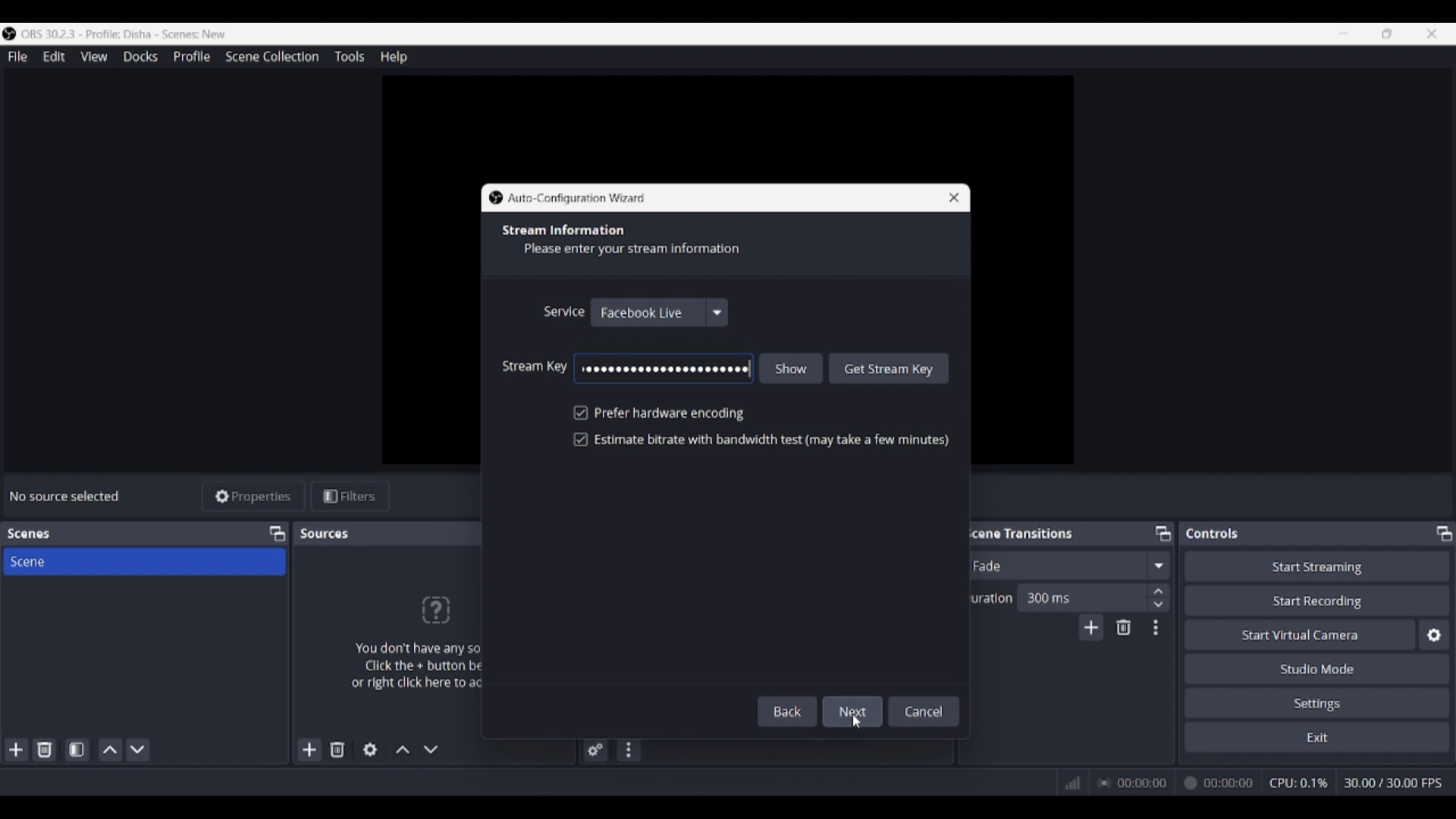 The image size is (1456, 819). What do you see at coordinates (137, 750) in the screenshot?
I see `Move scene down` at bounding box center [137, 750].